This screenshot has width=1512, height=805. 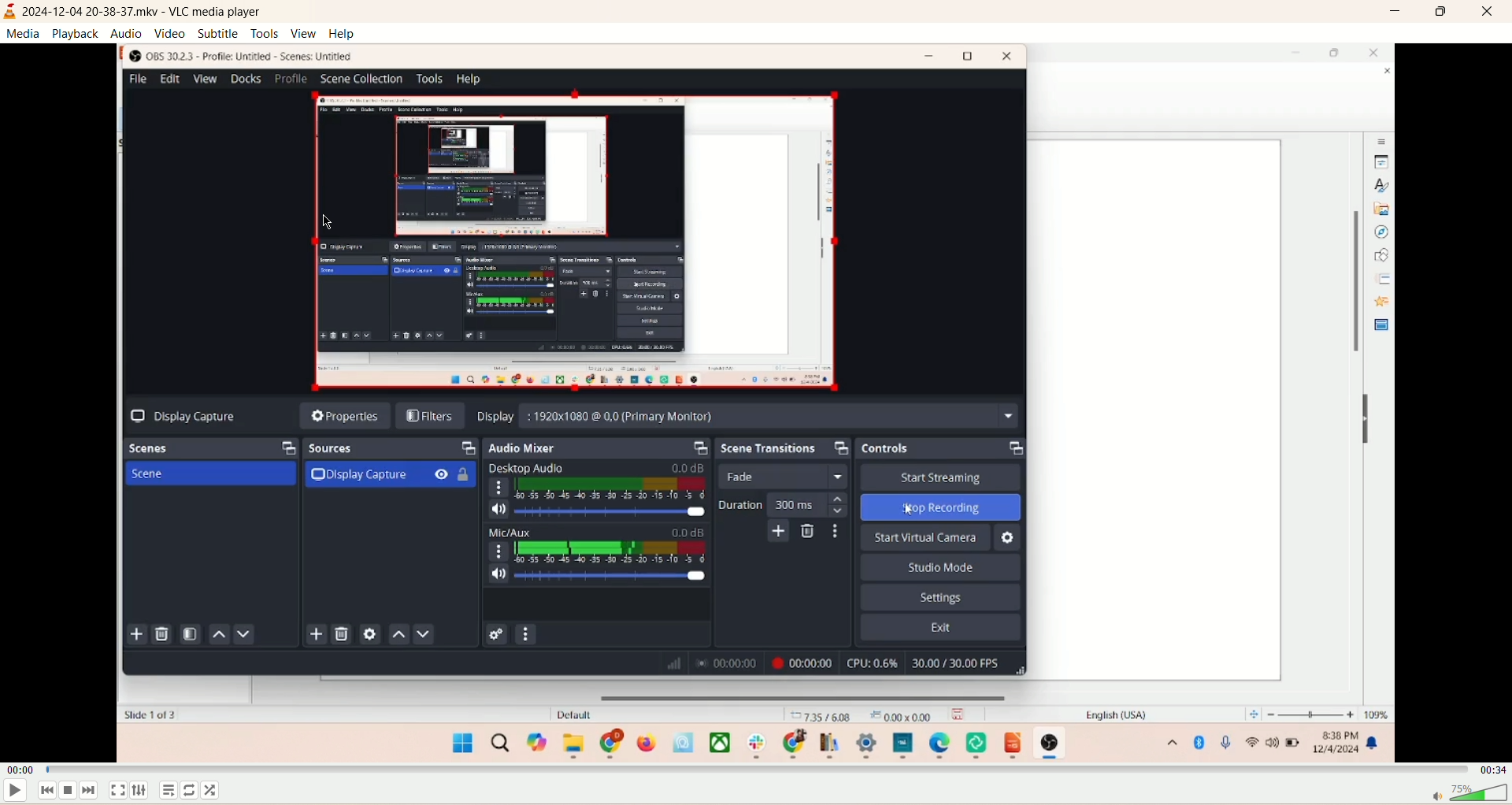 I want to click on next, so click(x=91, y=791).